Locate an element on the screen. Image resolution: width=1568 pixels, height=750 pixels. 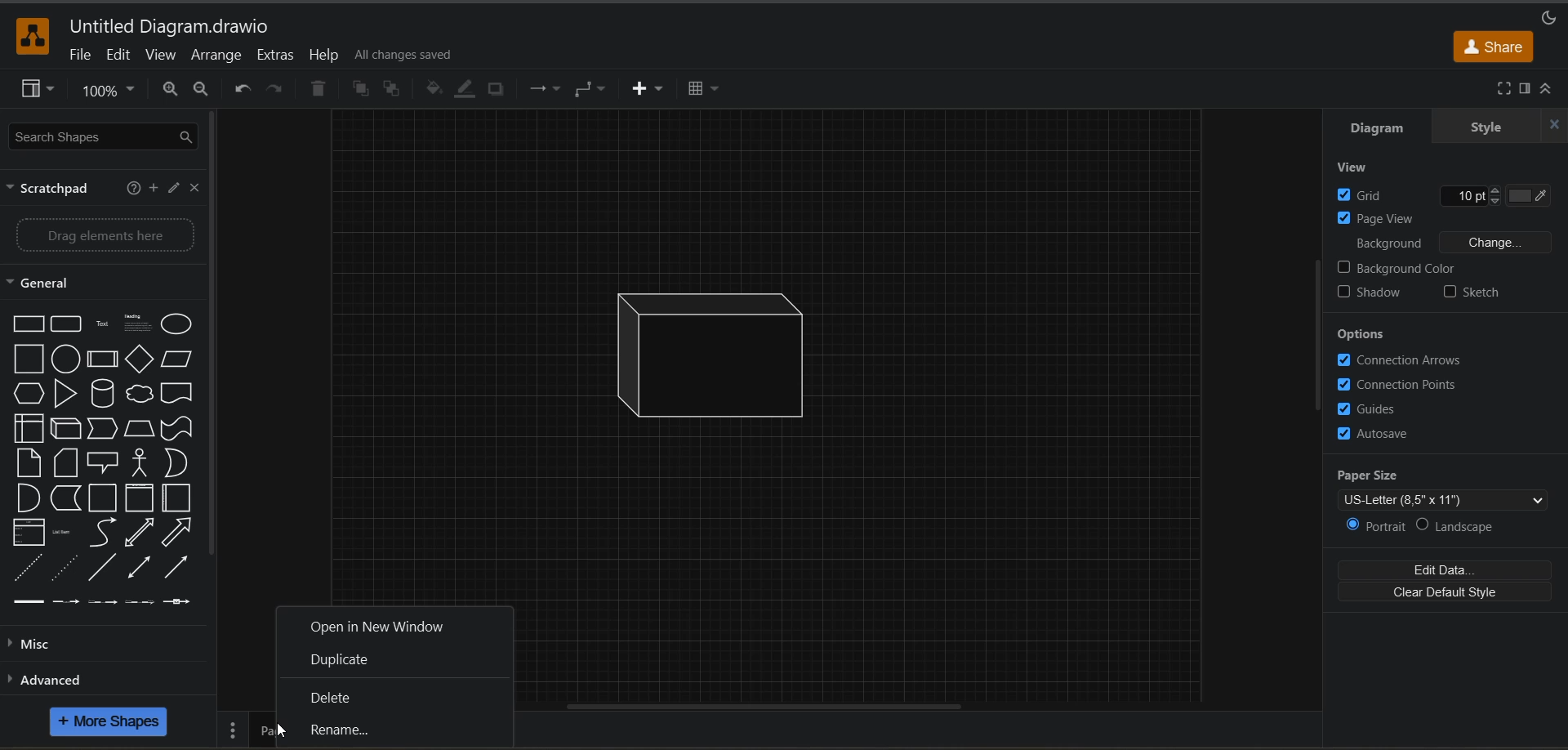
zoom is located at coordinates (109, 91).